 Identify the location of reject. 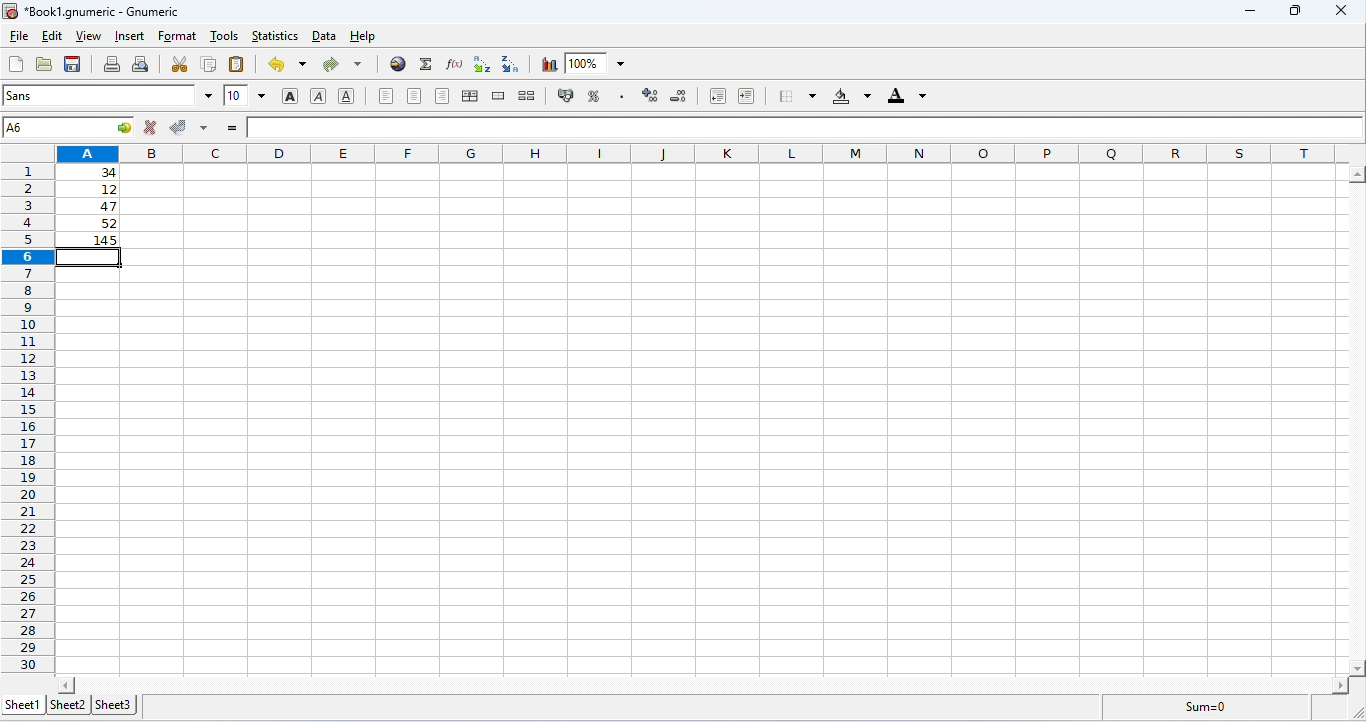
(153, 126).